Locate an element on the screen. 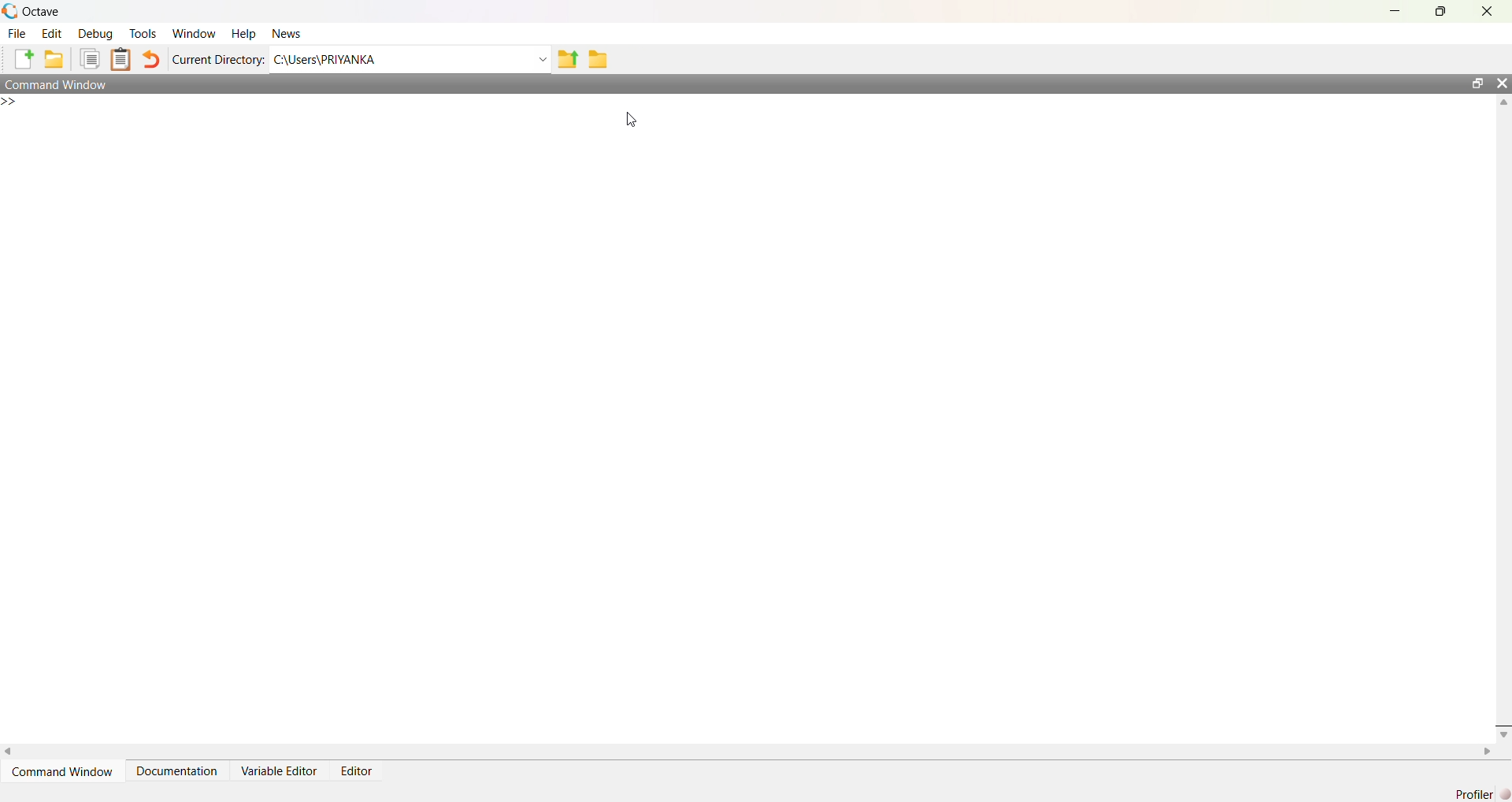 Image resolution: width=1512 pixels, height=802 pixels. Current Directory: is located at coordinates (219, 61).